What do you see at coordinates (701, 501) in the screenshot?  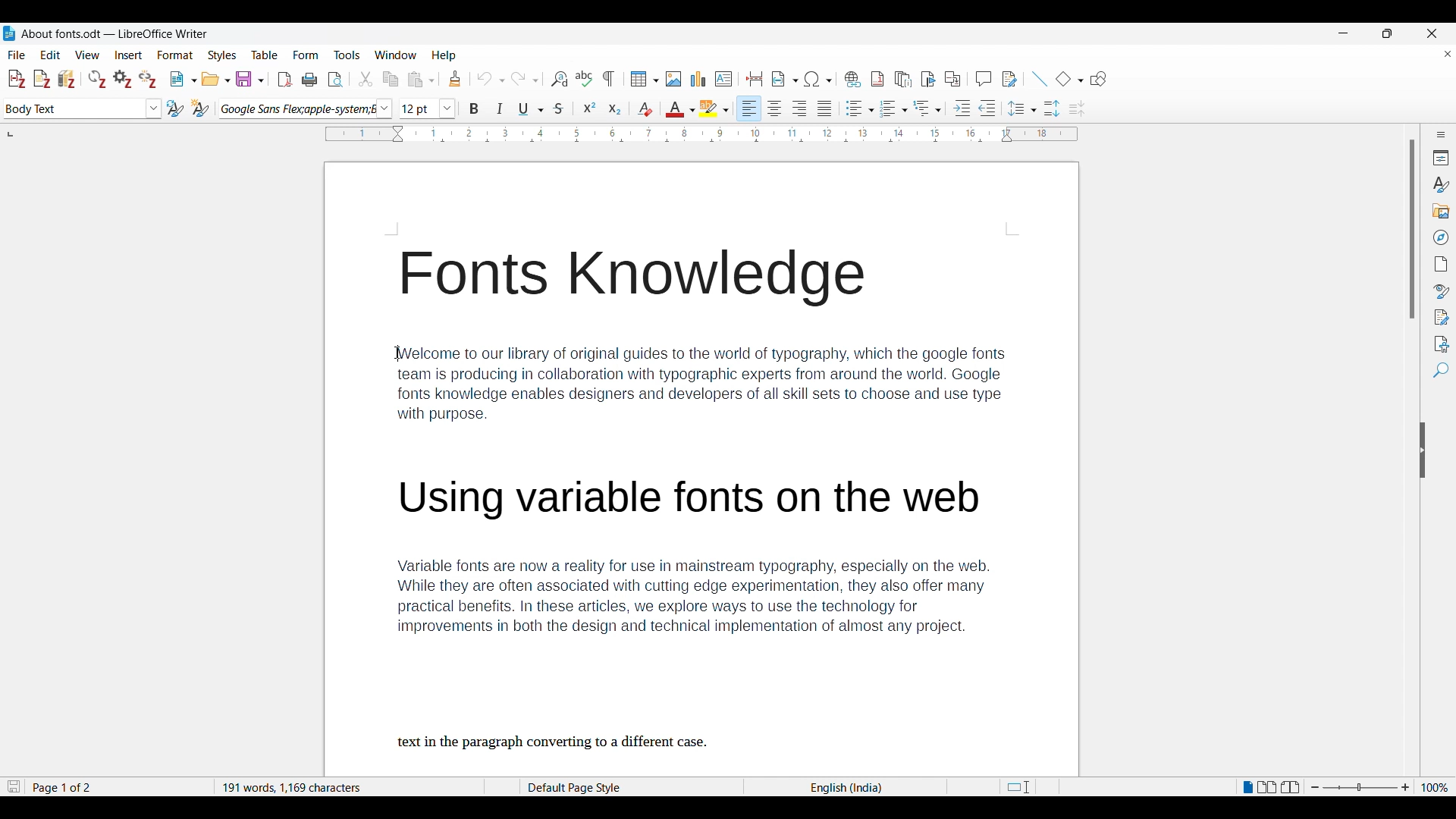 I see `Using Variable fonts on the web` at bounding box center [701, 501].